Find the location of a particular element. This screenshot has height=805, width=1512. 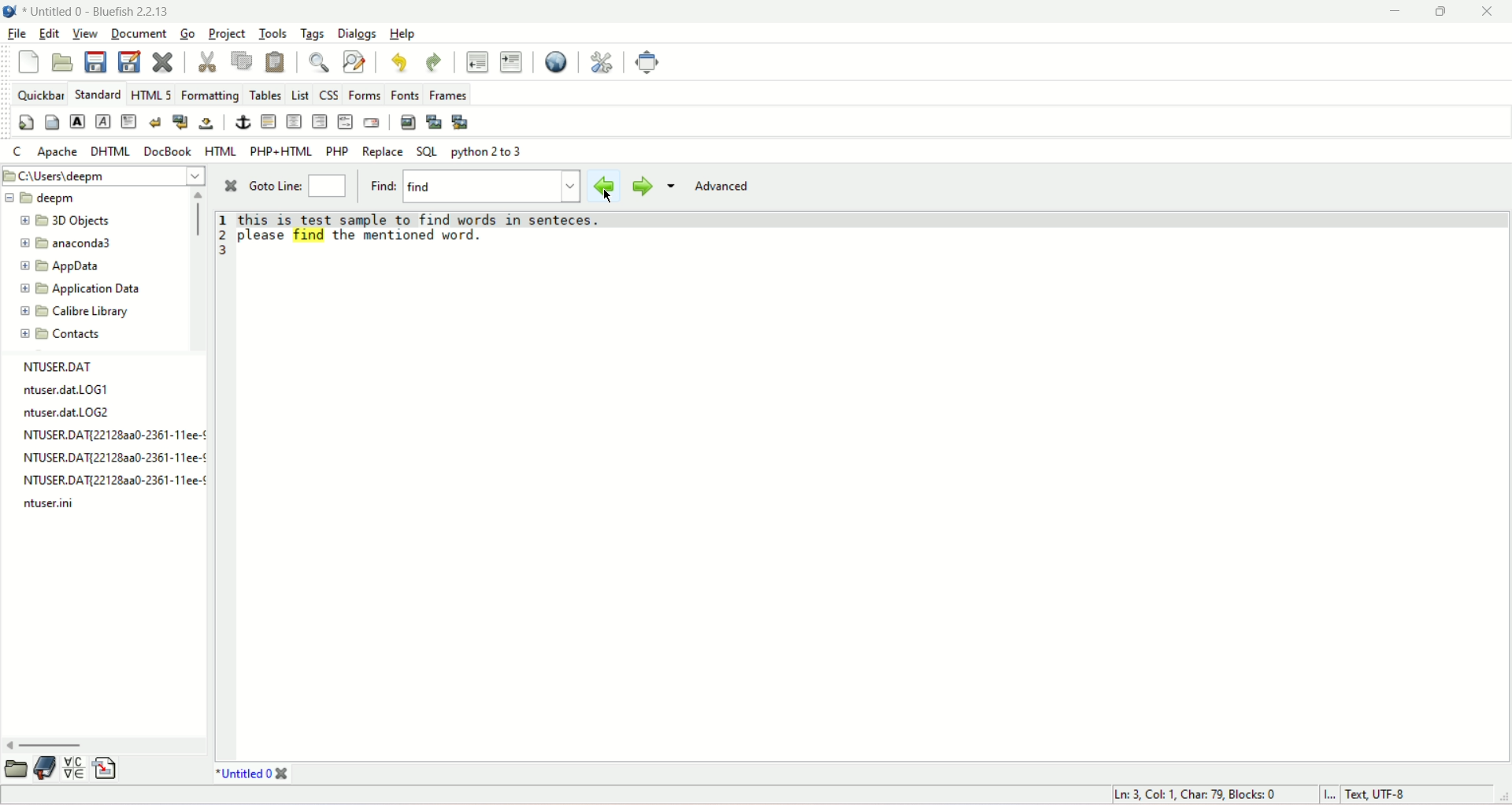

close is located at coordinates (228, 187).